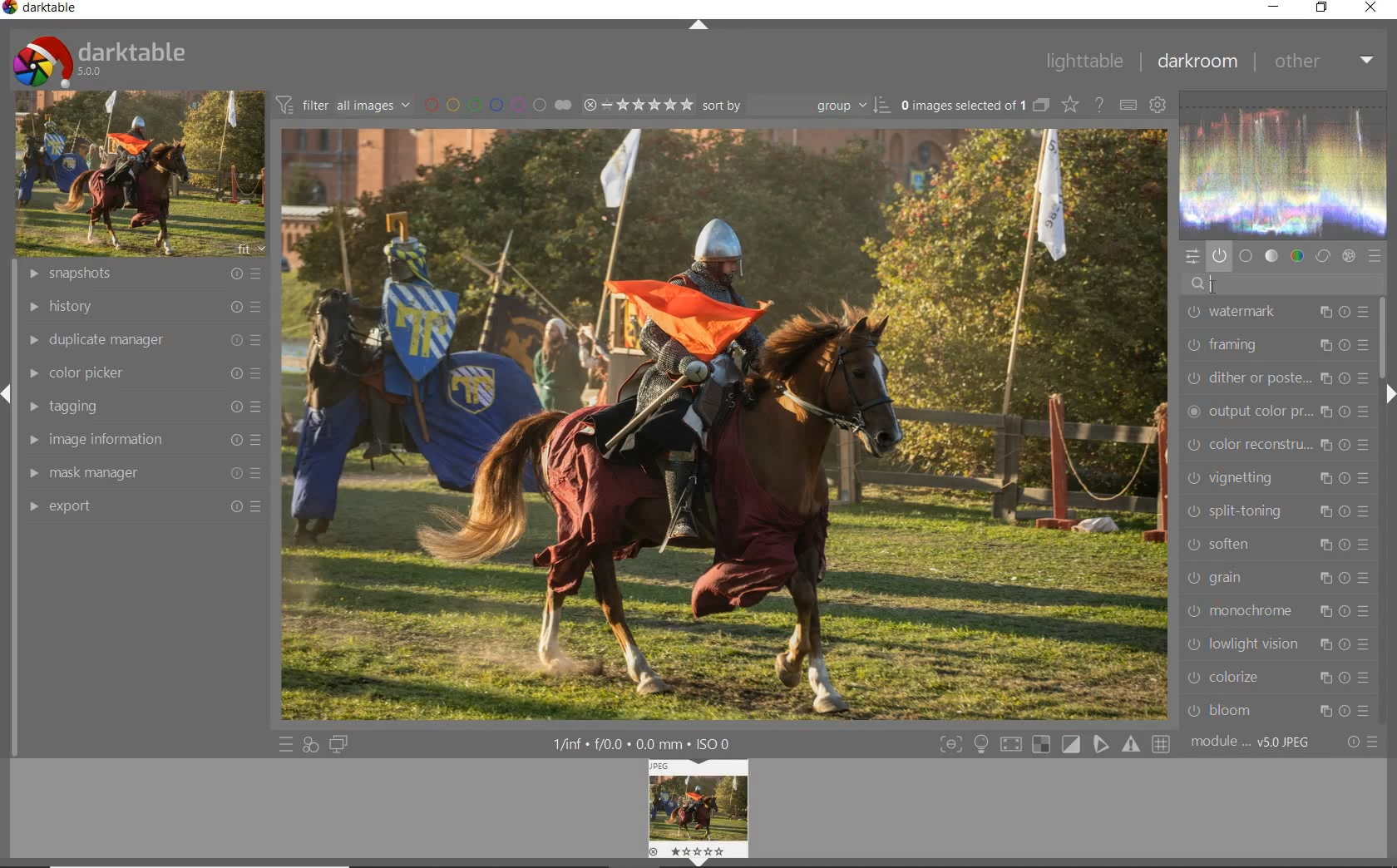 The image size is (1397, 868). I want to click on display a second darkroom image widow, so click(340, 744).